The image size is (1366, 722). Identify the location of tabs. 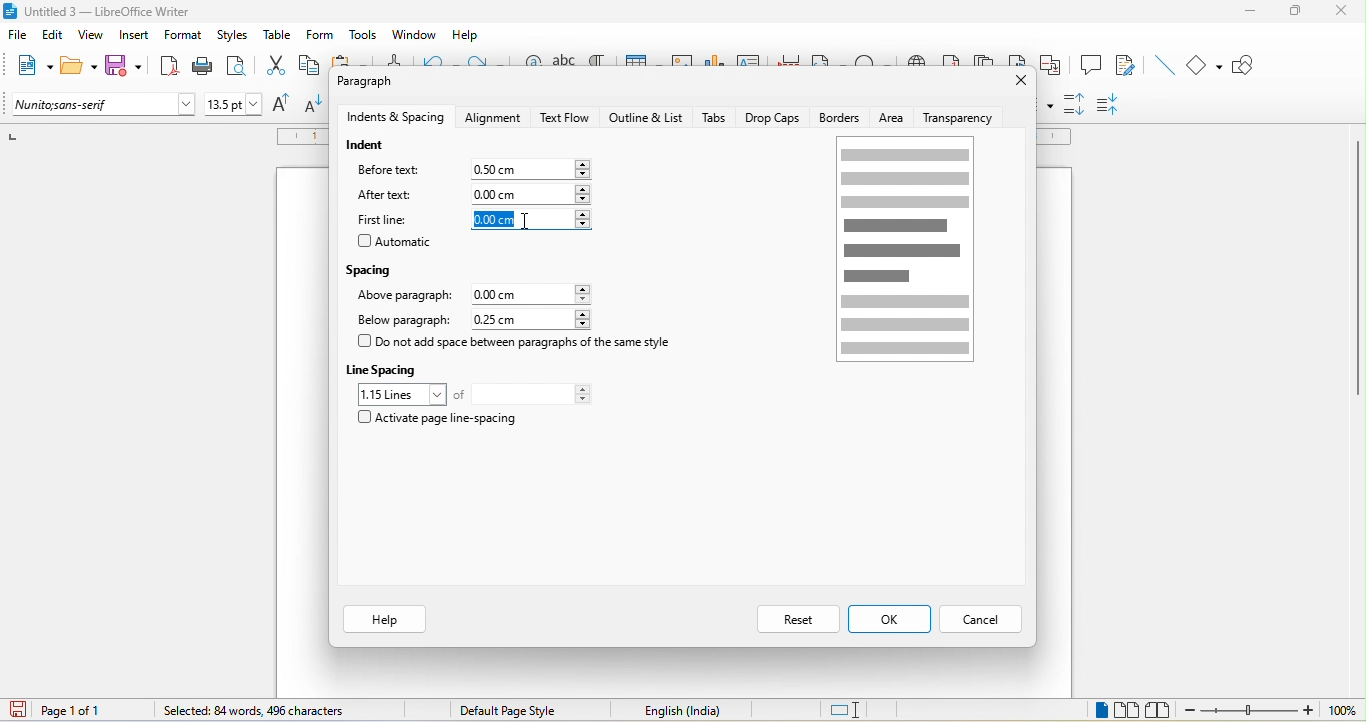
(715, 116).